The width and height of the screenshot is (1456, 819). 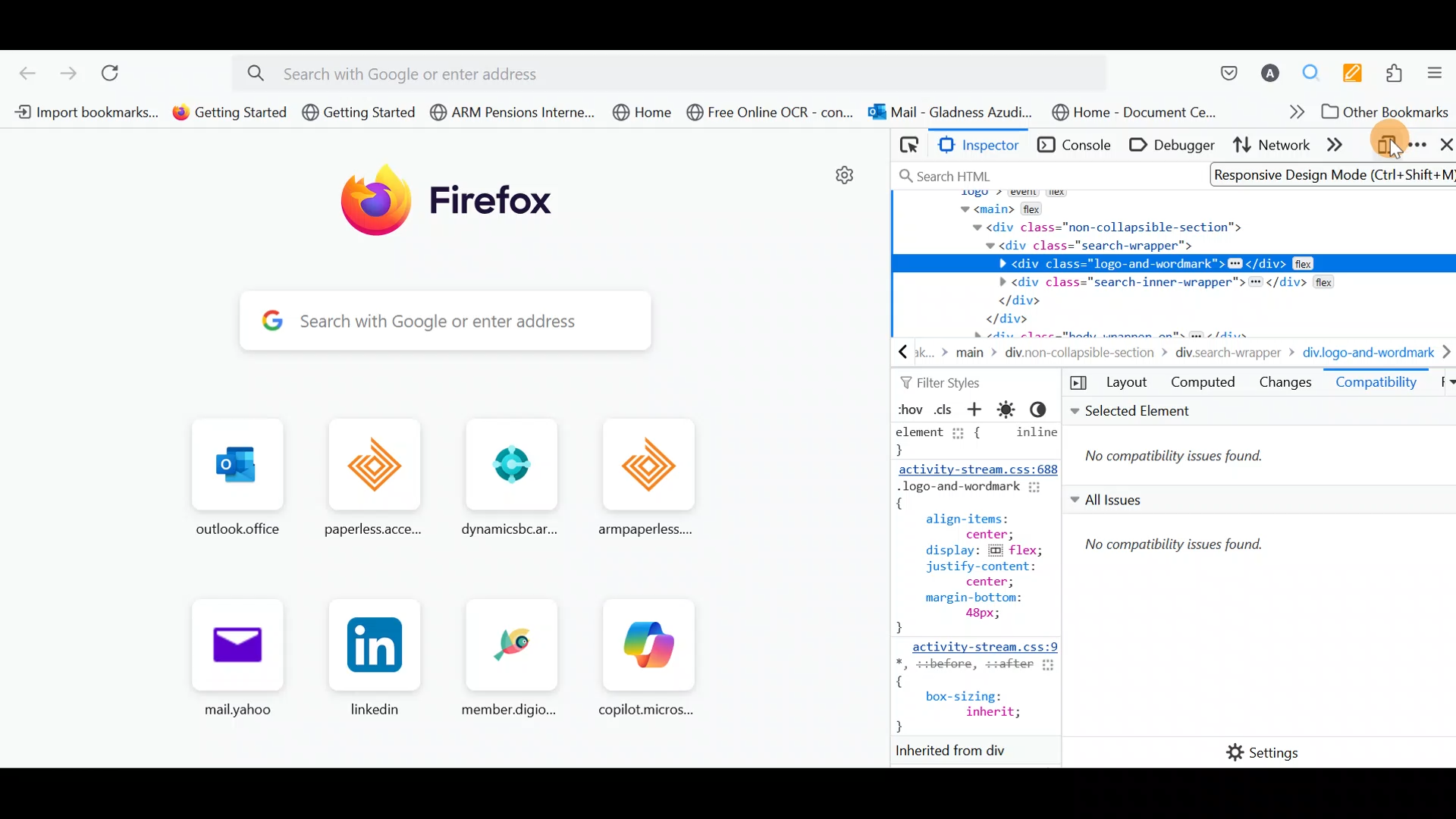 I want to click on Responsive design mode, so click(x=1387, y=147).